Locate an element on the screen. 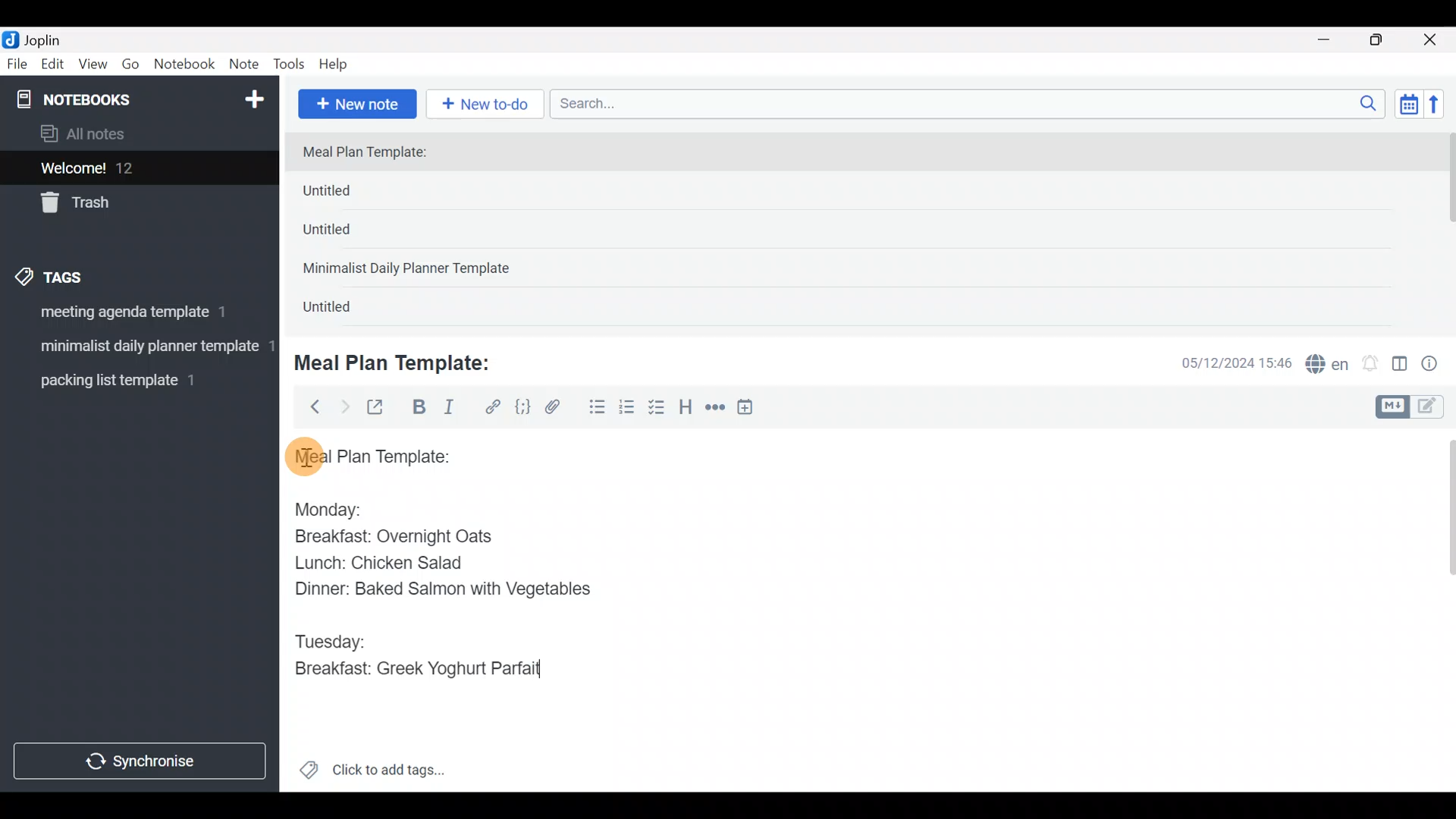  Bold is located at coordinates (418, 409).